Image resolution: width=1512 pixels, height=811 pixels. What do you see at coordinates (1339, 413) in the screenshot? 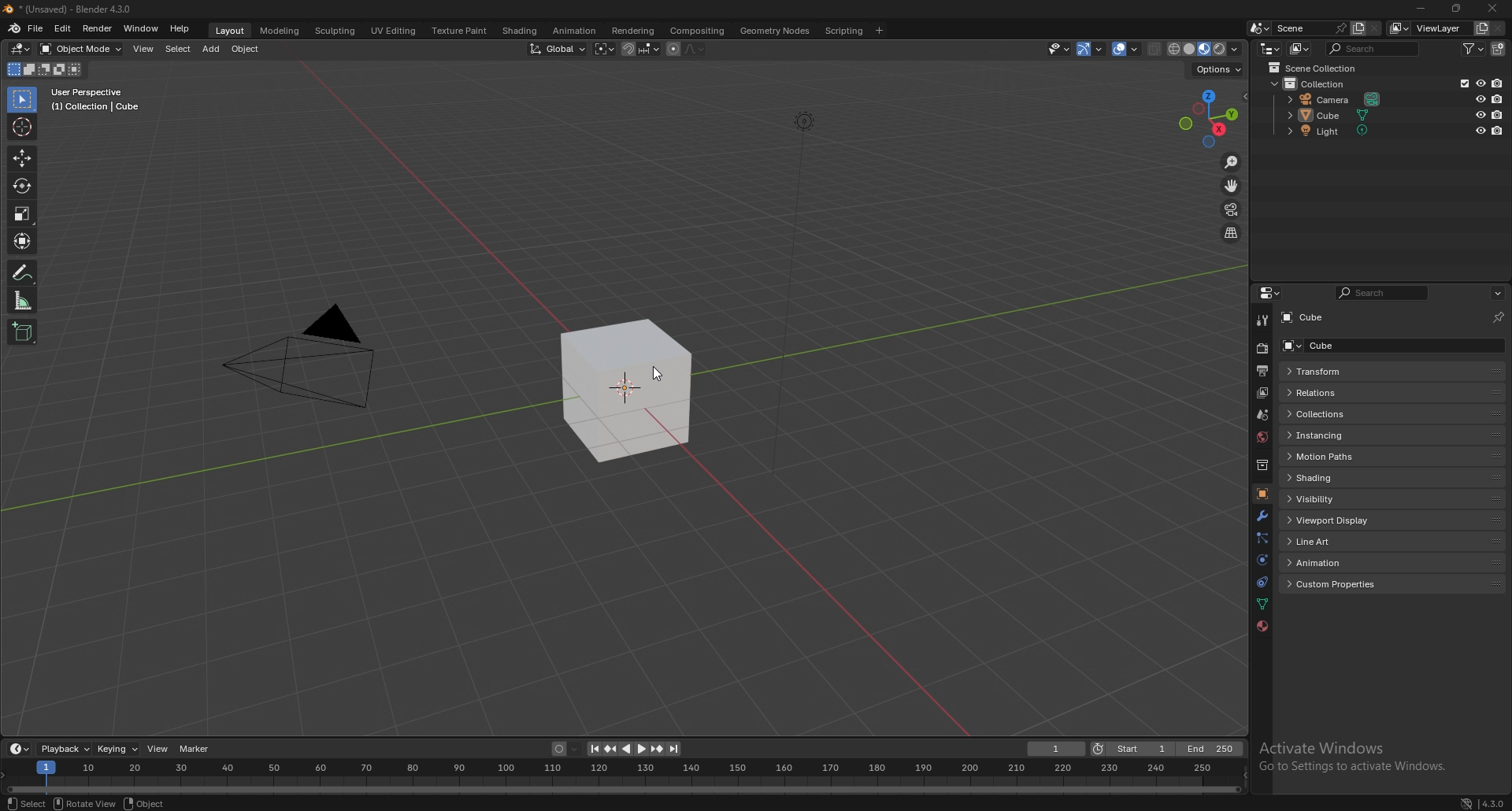
I see `collections` at bounding box center [1339, 413].